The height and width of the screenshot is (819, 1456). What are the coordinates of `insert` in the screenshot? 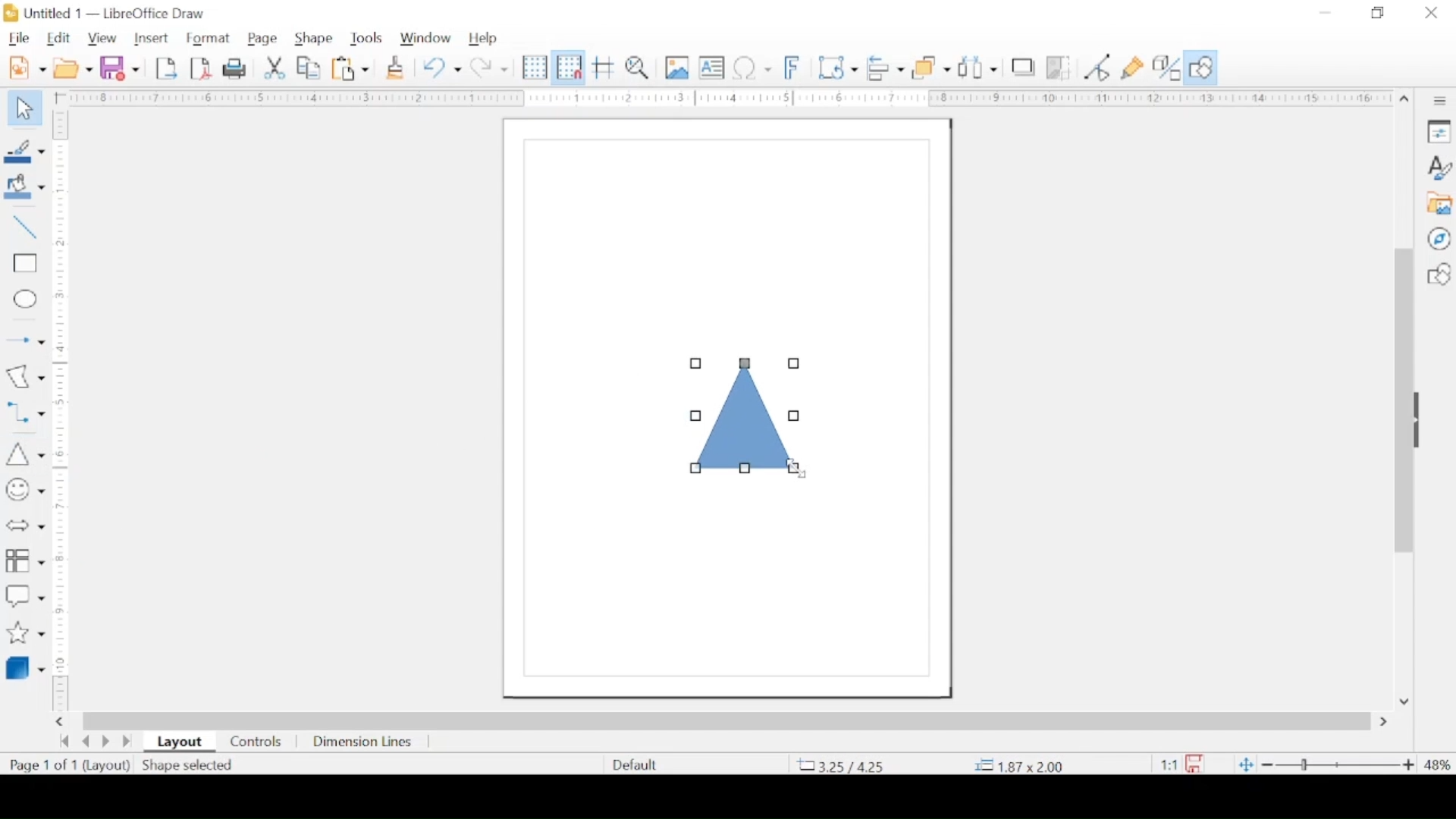 It's located at (153, 39).